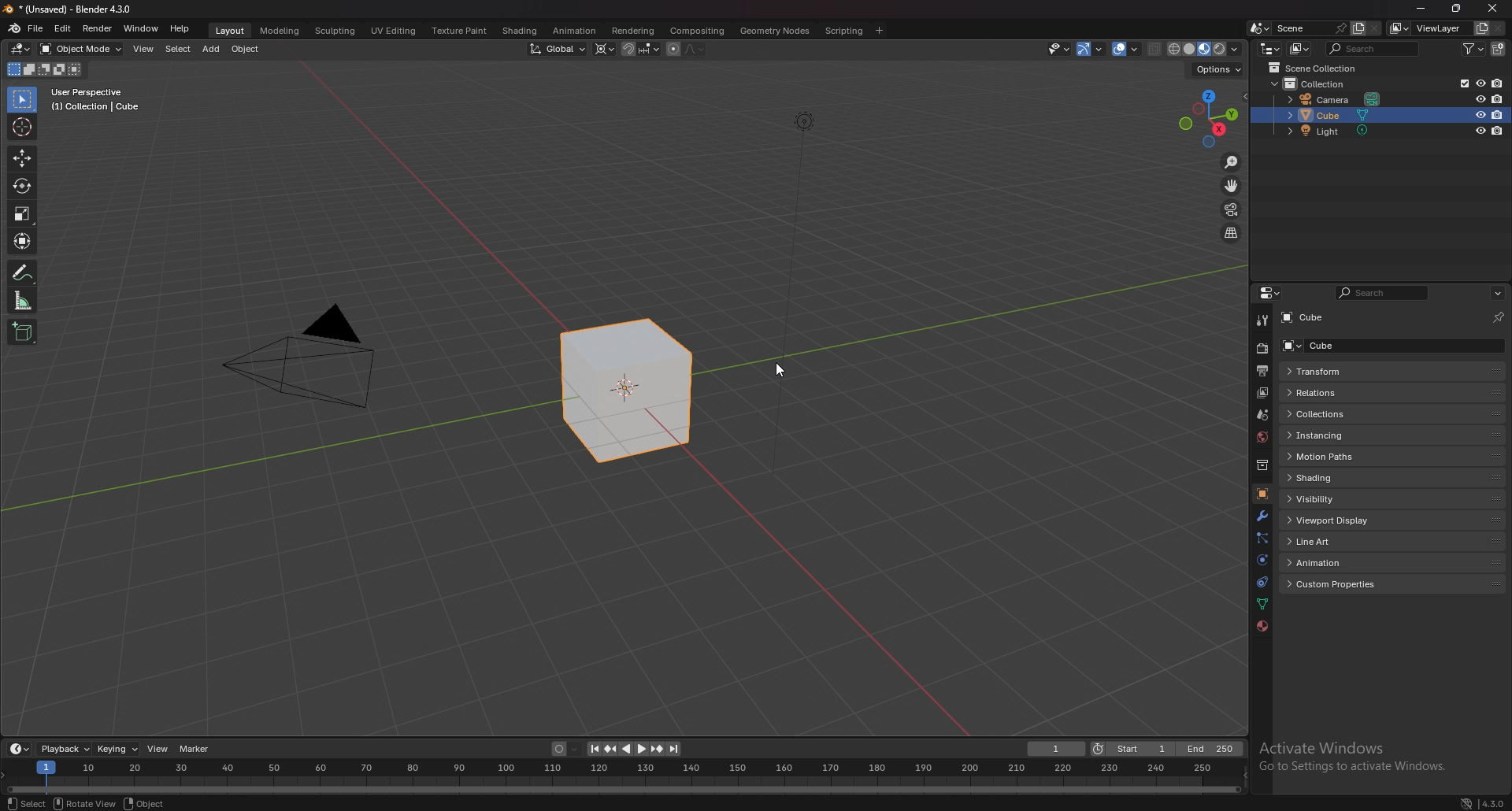 The height and width of the screenshot is (811, 1512). I want to click on texture paint, so click(459, 31).